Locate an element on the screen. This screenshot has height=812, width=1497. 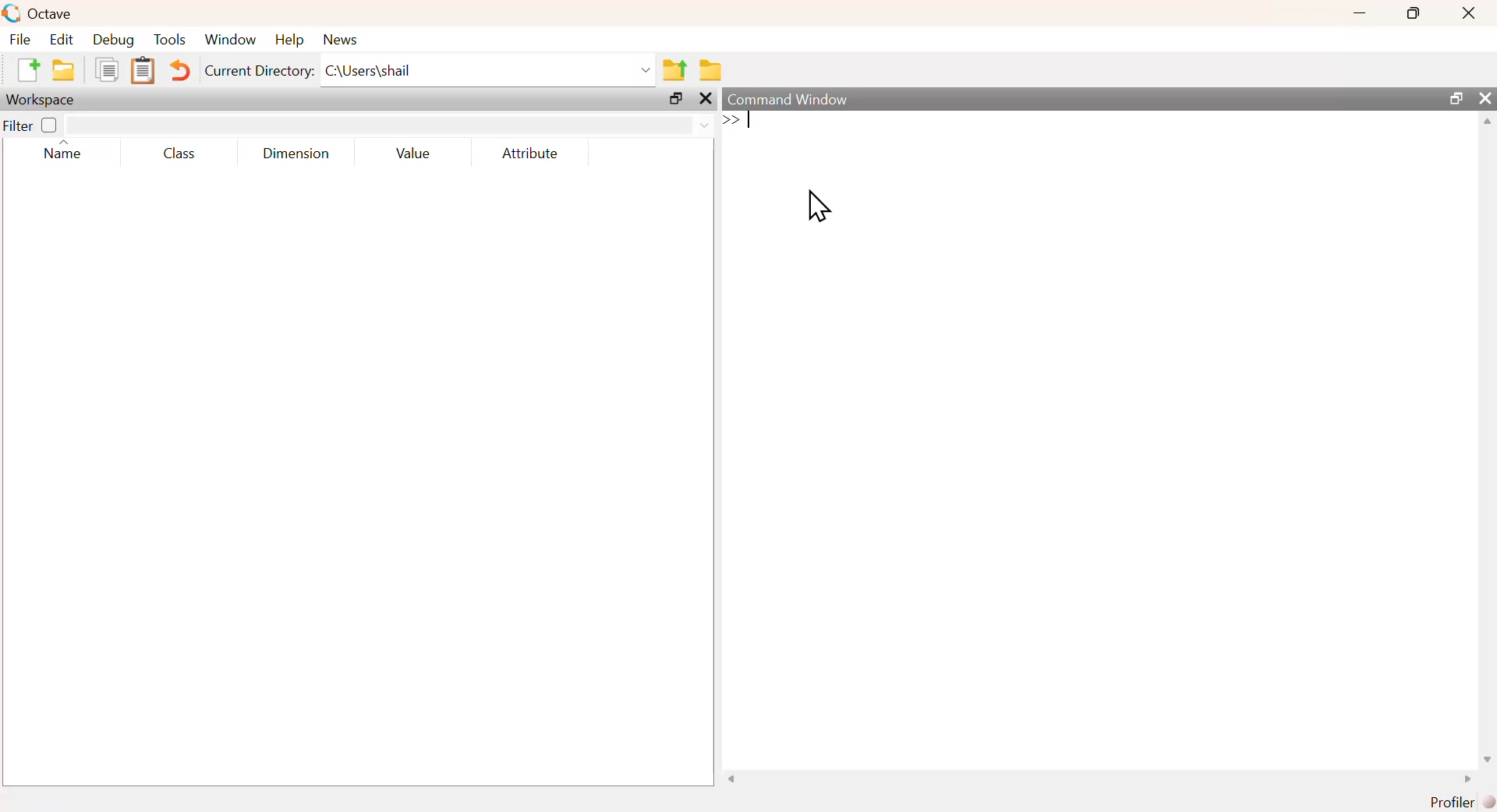
Undo is located at coordinates (179, 70).